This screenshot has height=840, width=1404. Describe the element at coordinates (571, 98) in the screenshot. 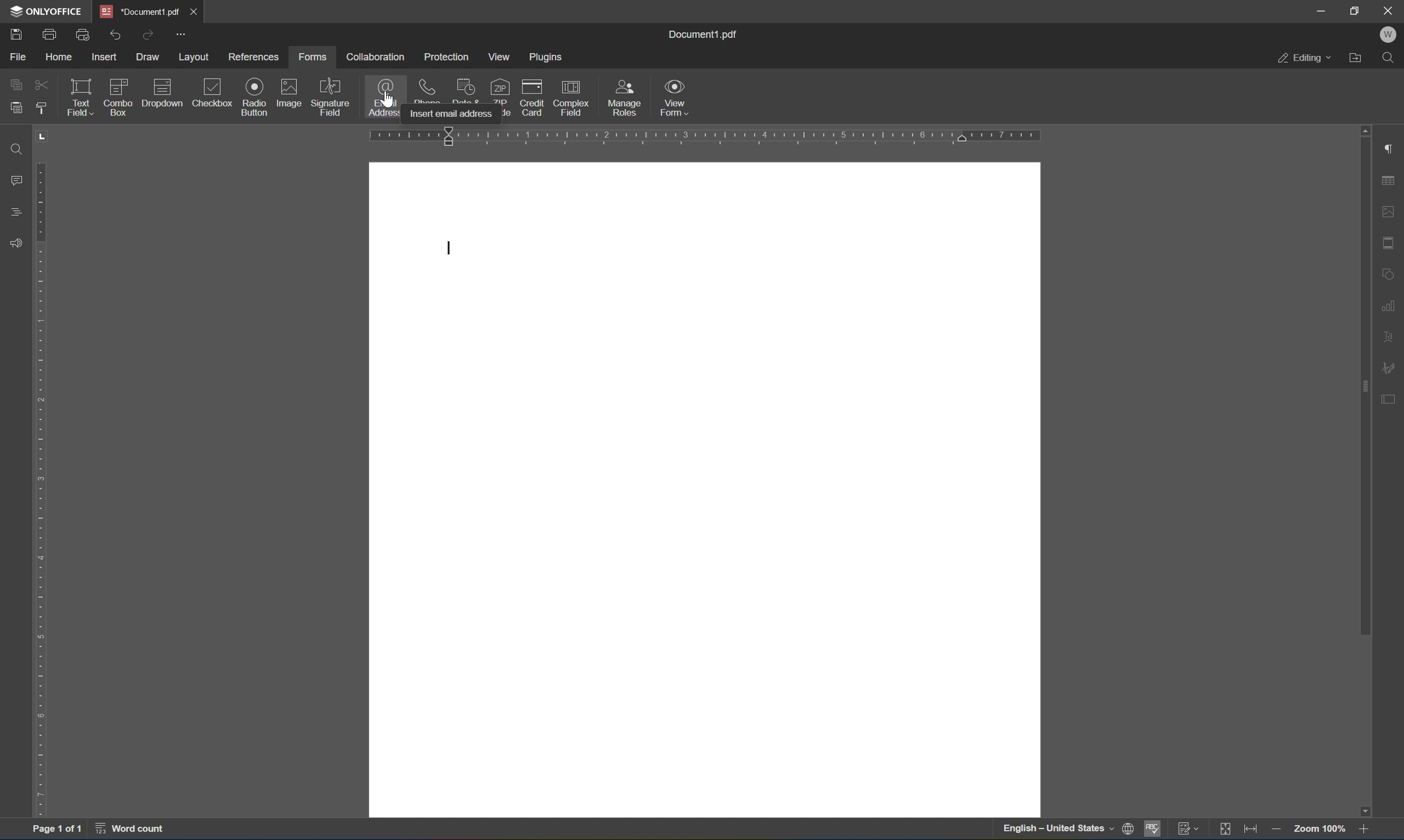

I see `complex field` at that location.